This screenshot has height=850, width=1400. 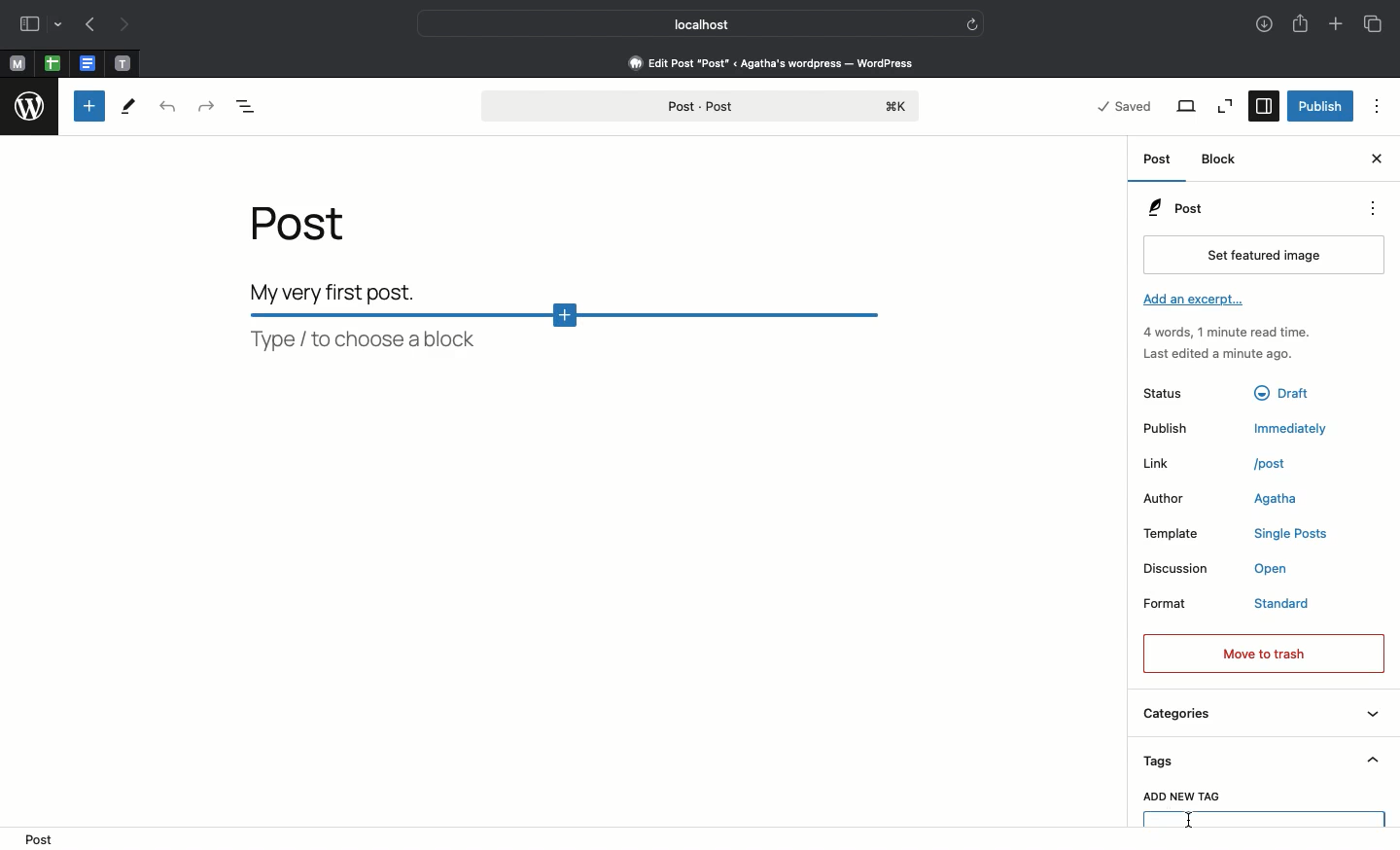 What do you see at coordinates (1376, 160) in the screenshot?
I see `Close` at bounding box center [1376, 160].